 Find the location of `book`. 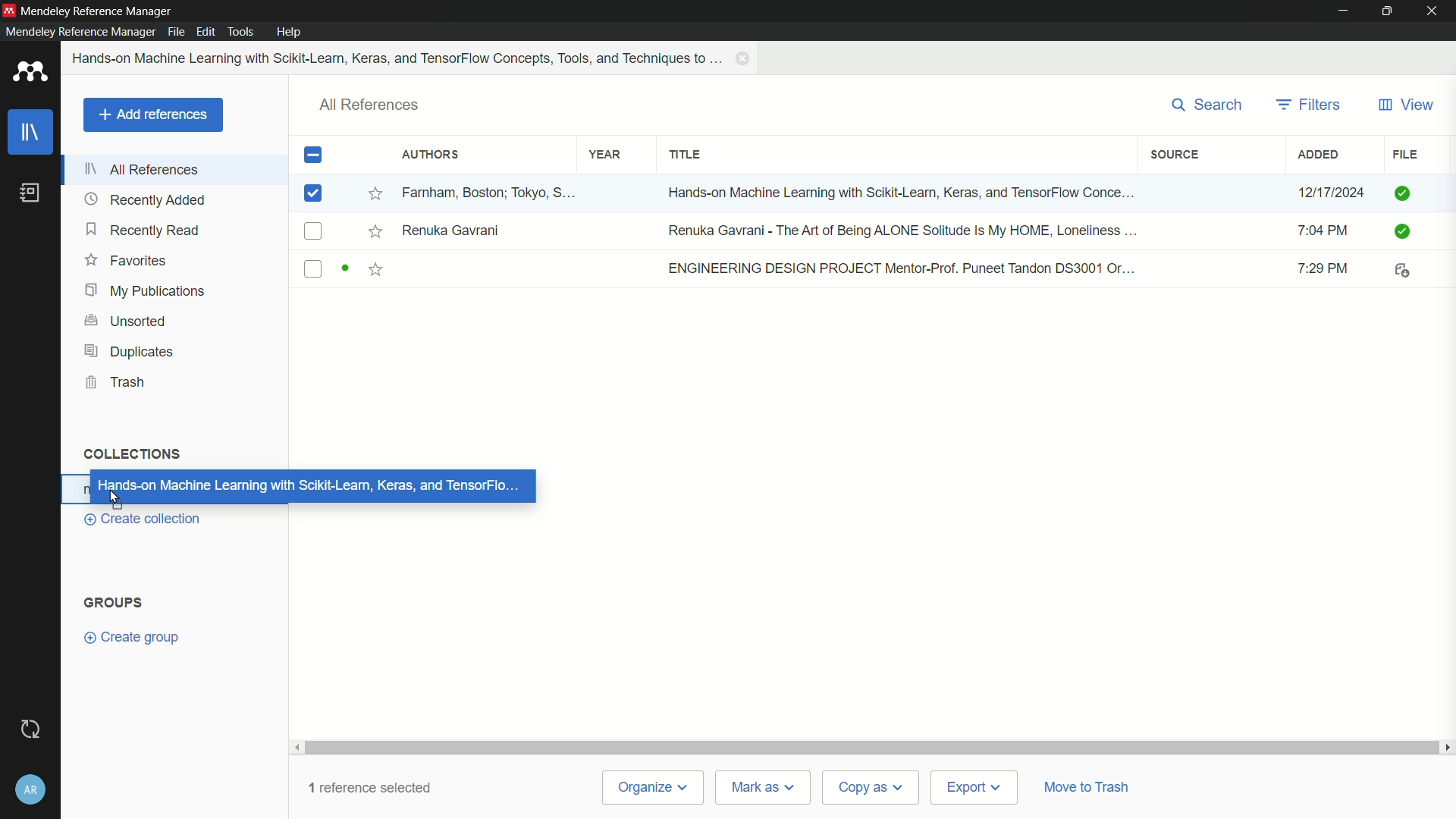

book is located at coordinates (30, 193).